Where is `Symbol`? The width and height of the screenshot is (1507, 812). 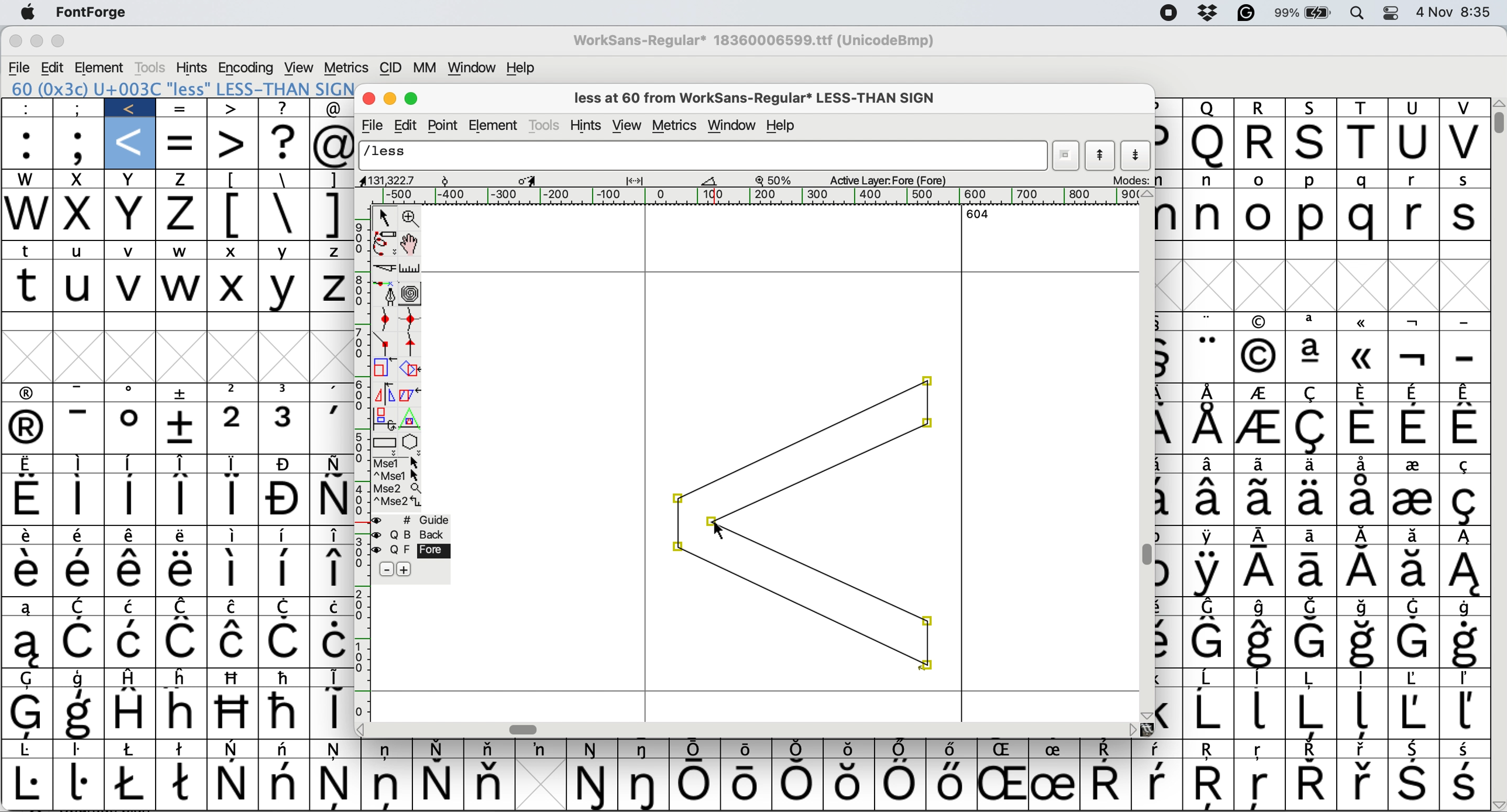 Symbol is located at coordinates (1310, 678).